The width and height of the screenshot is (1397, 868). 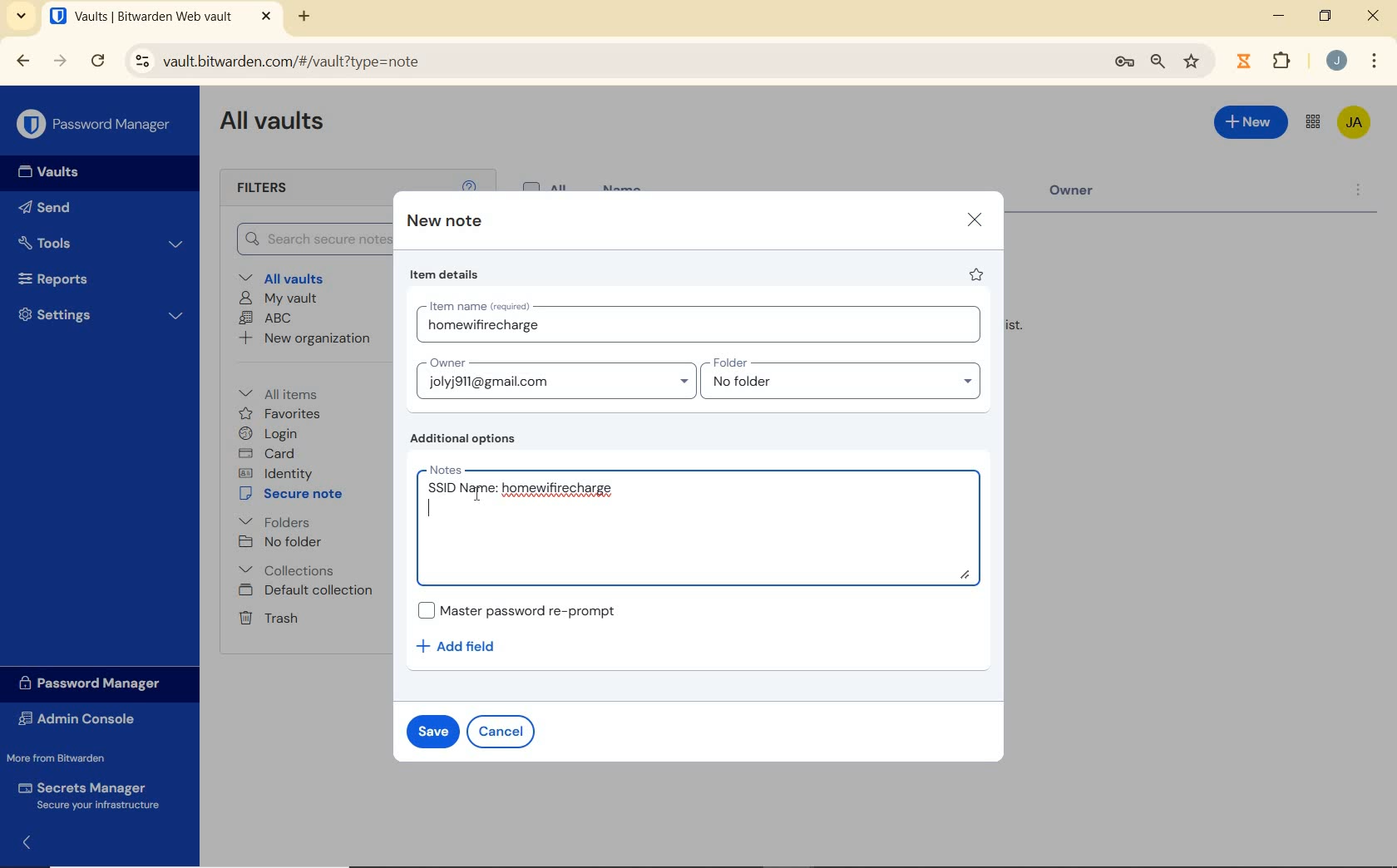 What do you see at coordinates (1158, 63) in the screenshot?
I see `zoom` at bounding box center [1158, 63].